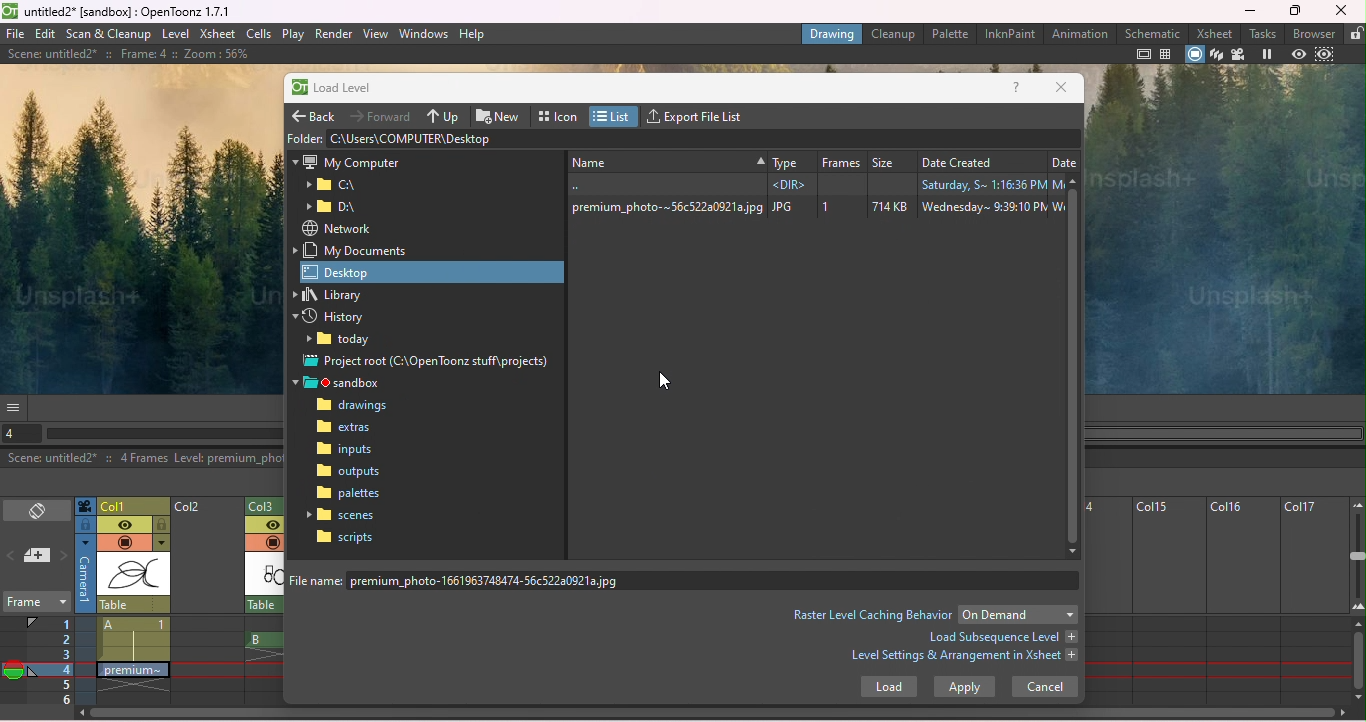 The image size is (1366, 722). Describe the element at coordinates (162, 525) in the screenshot. I see `lock toggle` at that location.